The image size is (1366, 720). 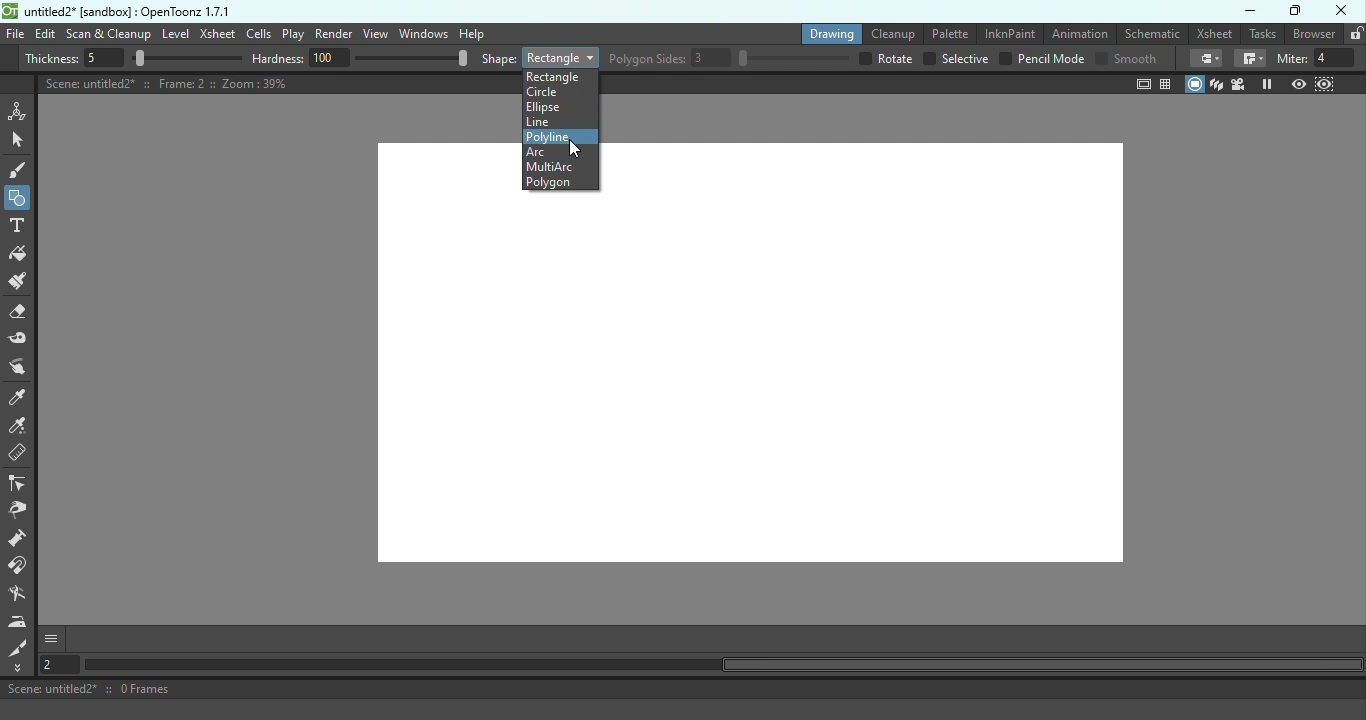 I want to click on More options, so click(x=51, y=640).